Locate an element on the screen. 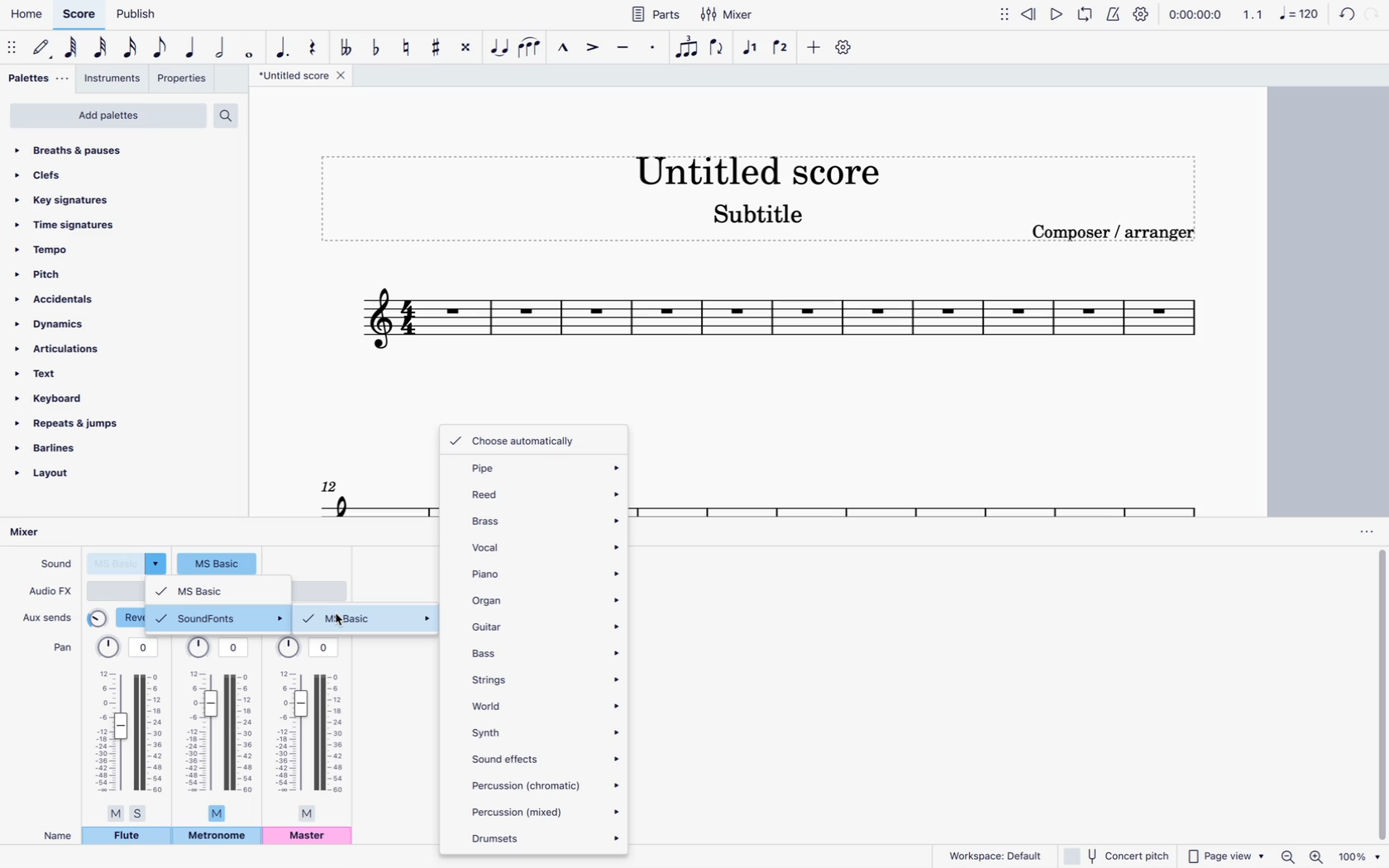 Image resolution: width=1389 pixels, height=868 pixels. time is located at coordinates (1195, 13).